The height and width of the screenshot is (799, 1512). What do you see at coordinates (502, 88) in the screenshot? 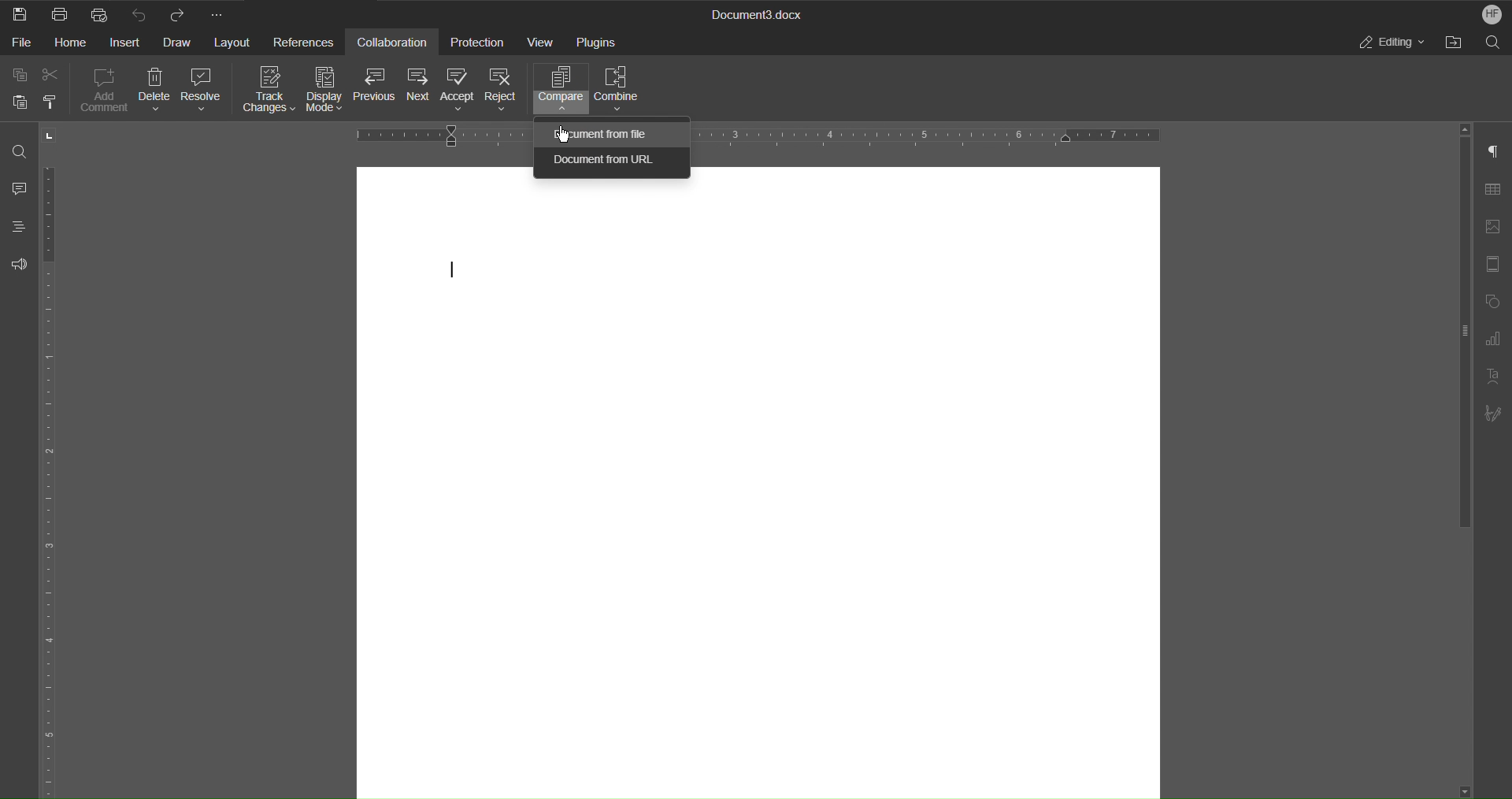
I see `Reject` at bounding box center [502, 88].